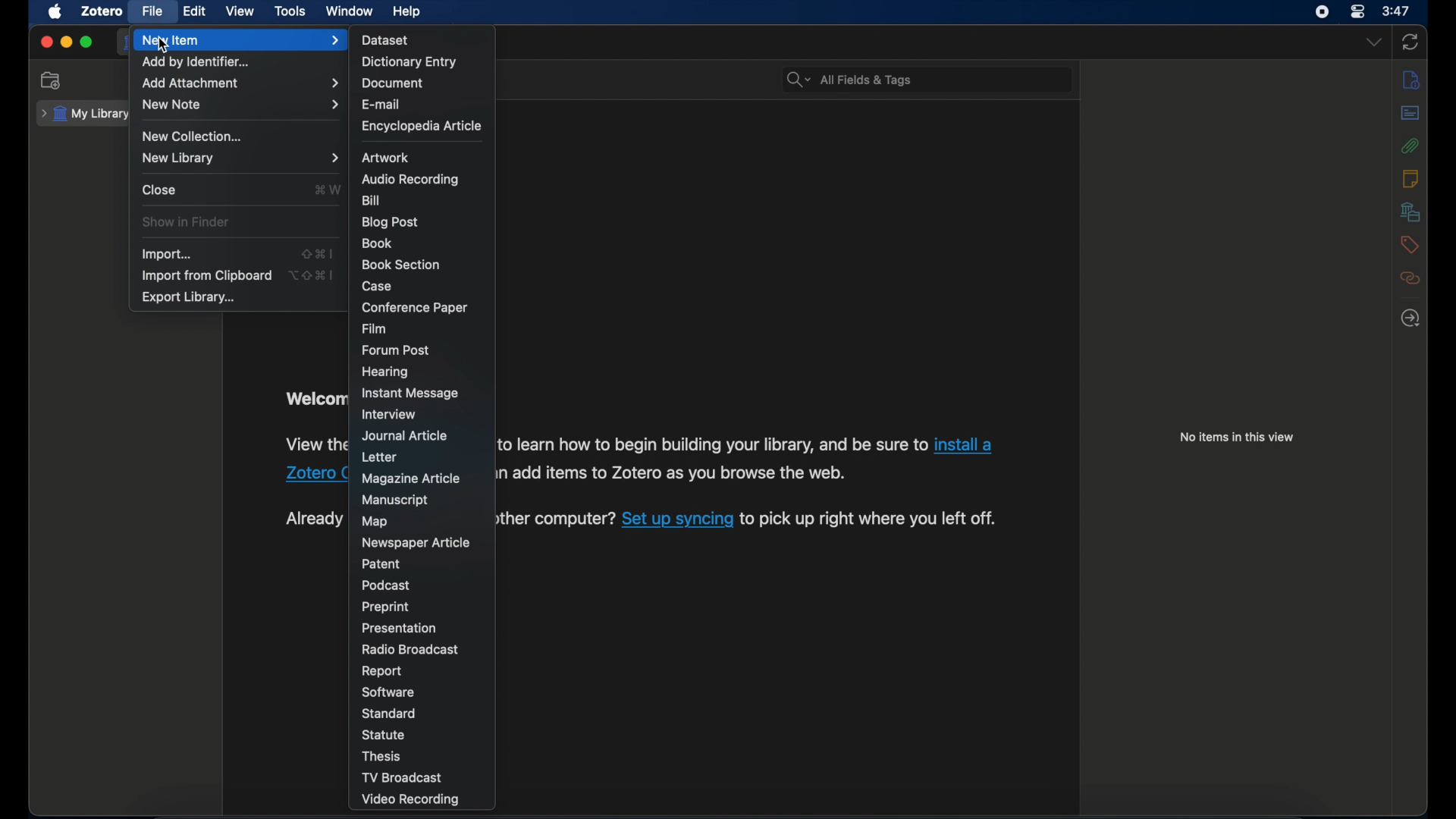 This screenshot has width=1456, height=819. Describe the element at coordinates (196, 11) in the screenshot. I see `edit` at that location.